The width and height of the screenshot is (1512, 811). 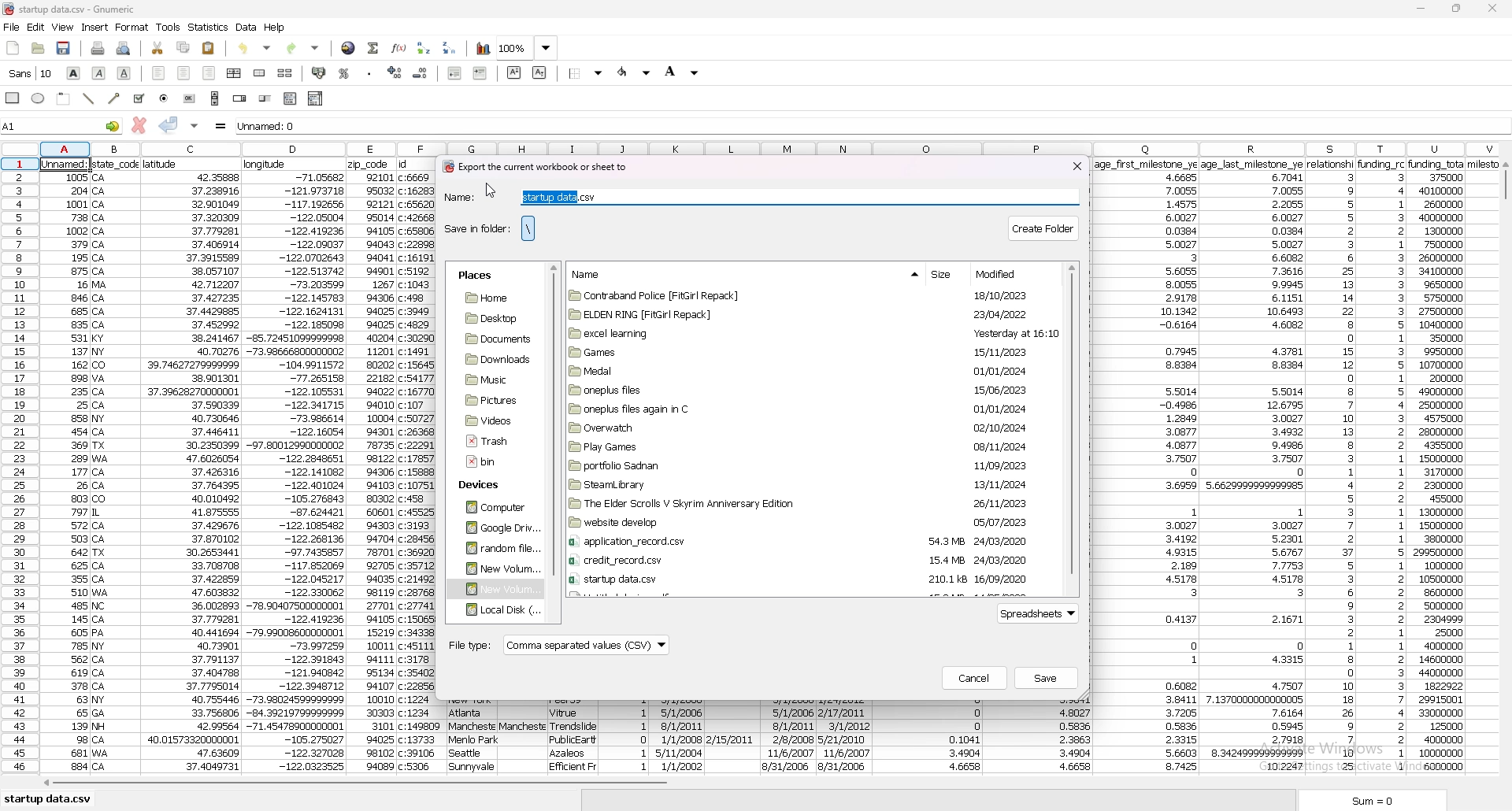 I want to click on path, so click(x=528, y=228).